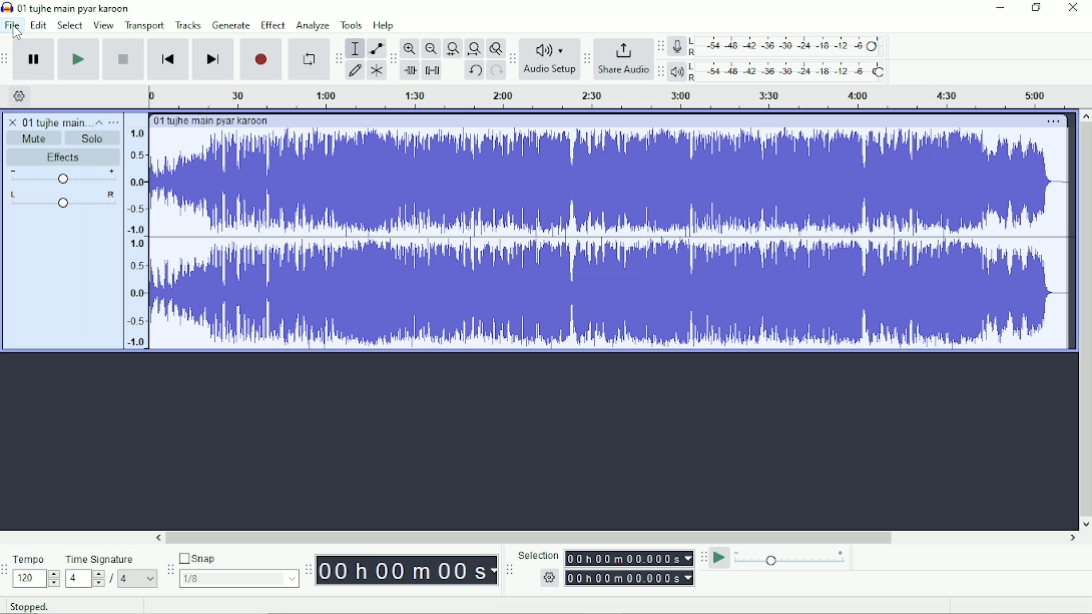 The image size is (1092, 614). I want to click on Envelope tool, so click(375, 49).